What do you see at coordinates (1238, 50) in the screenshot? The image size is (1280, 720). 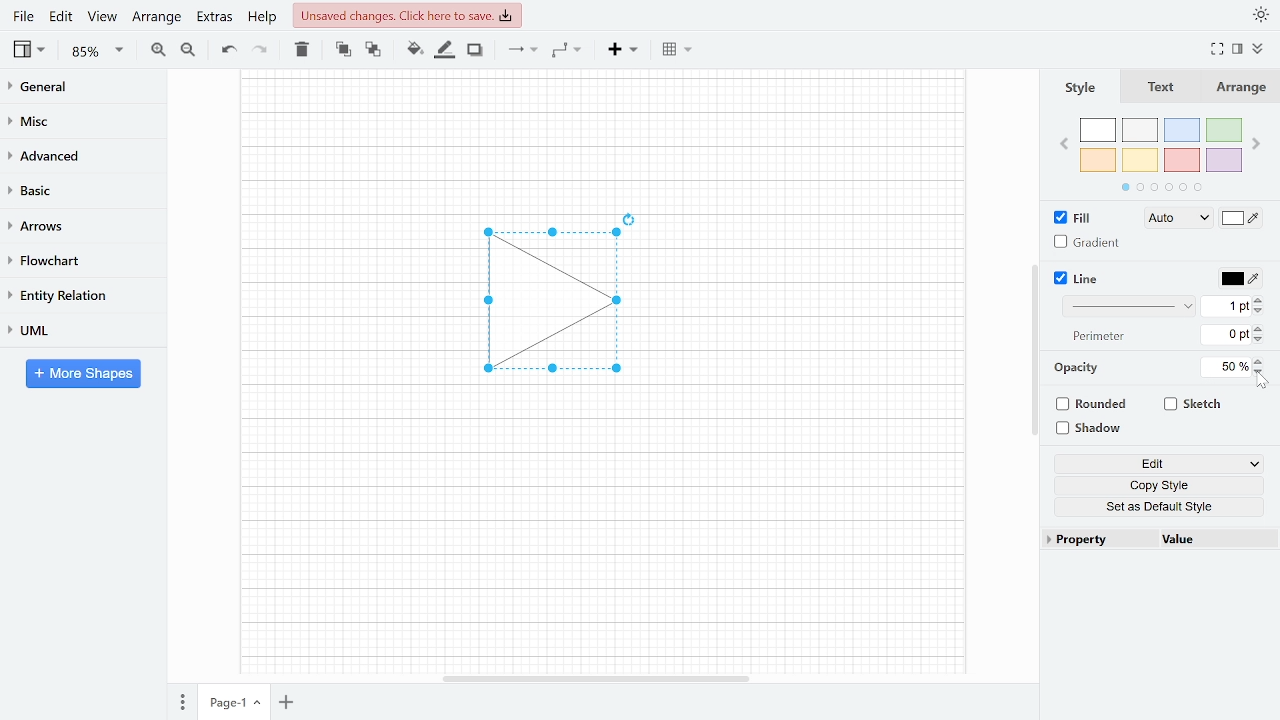 I see `Format (Ctrl+Shift+P)` at bounding box center [1238, 50].